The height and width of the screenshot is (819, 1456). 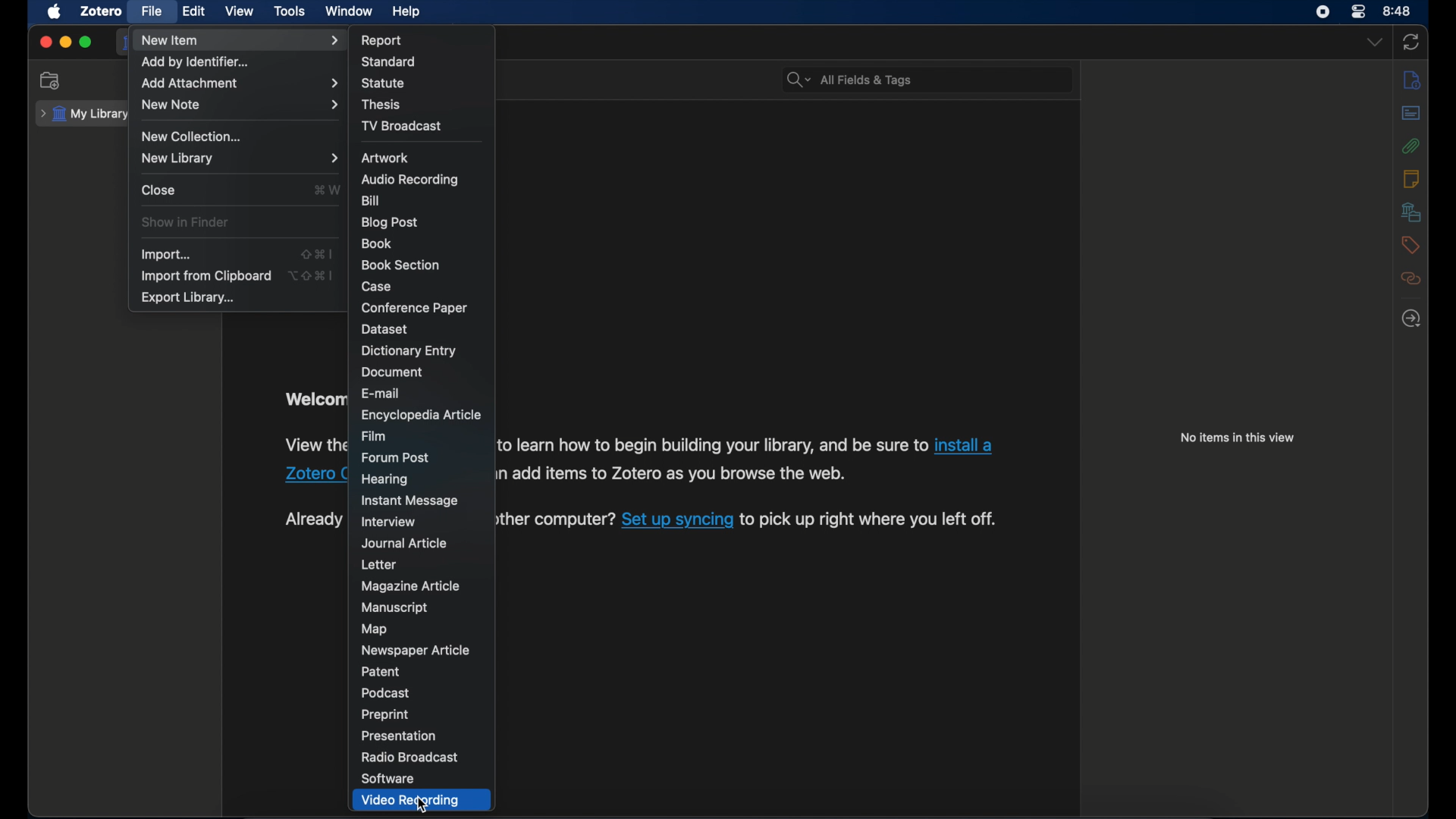 What do you see at coordinates (1323, 12) in the screenshot?
I see `screen recorder` at bounding box center [1323, 12].